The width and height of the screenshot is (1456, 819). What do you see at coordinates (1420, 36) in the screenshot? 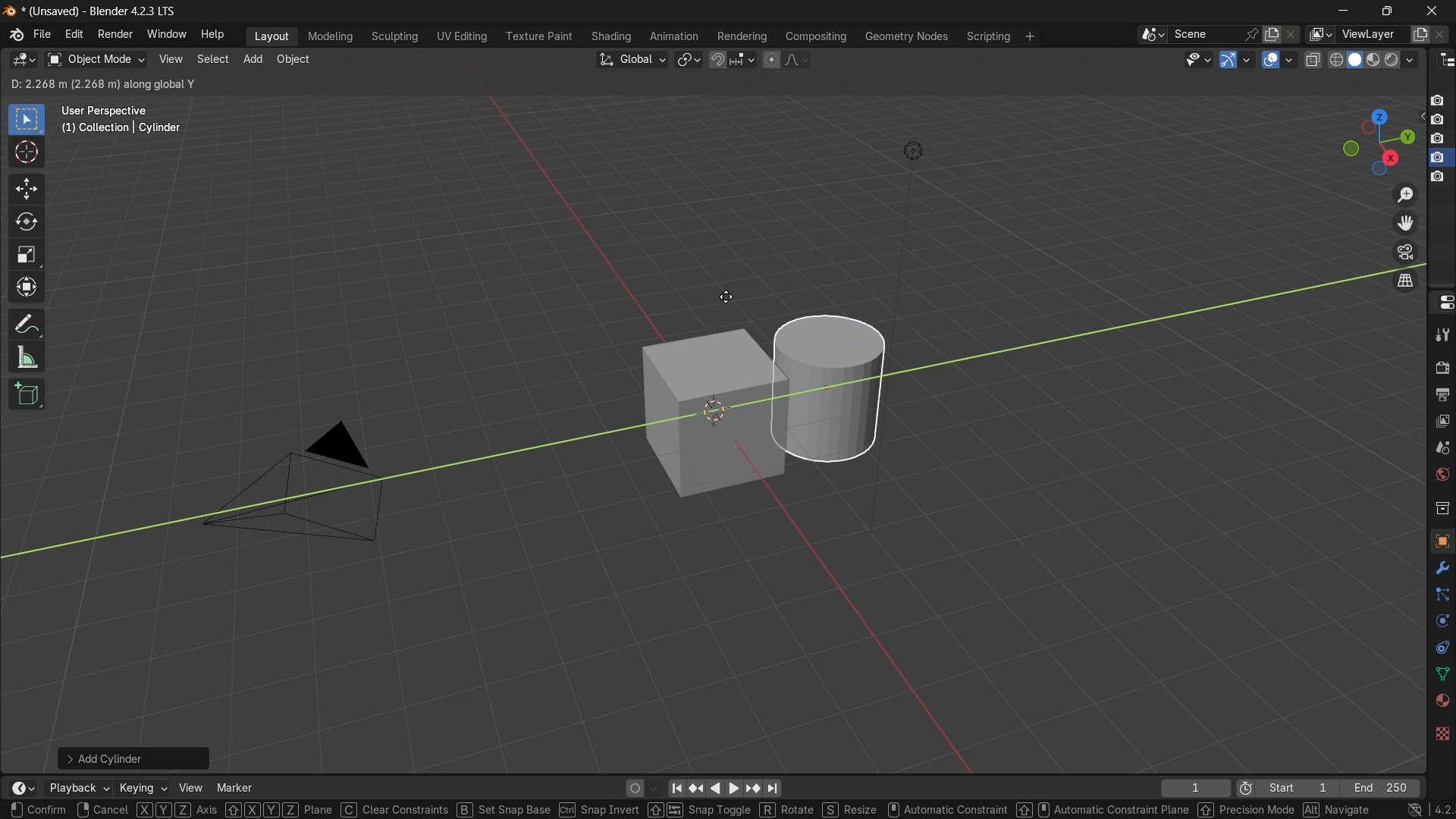
I see `add new layer` at bounding box center [1420, 36].